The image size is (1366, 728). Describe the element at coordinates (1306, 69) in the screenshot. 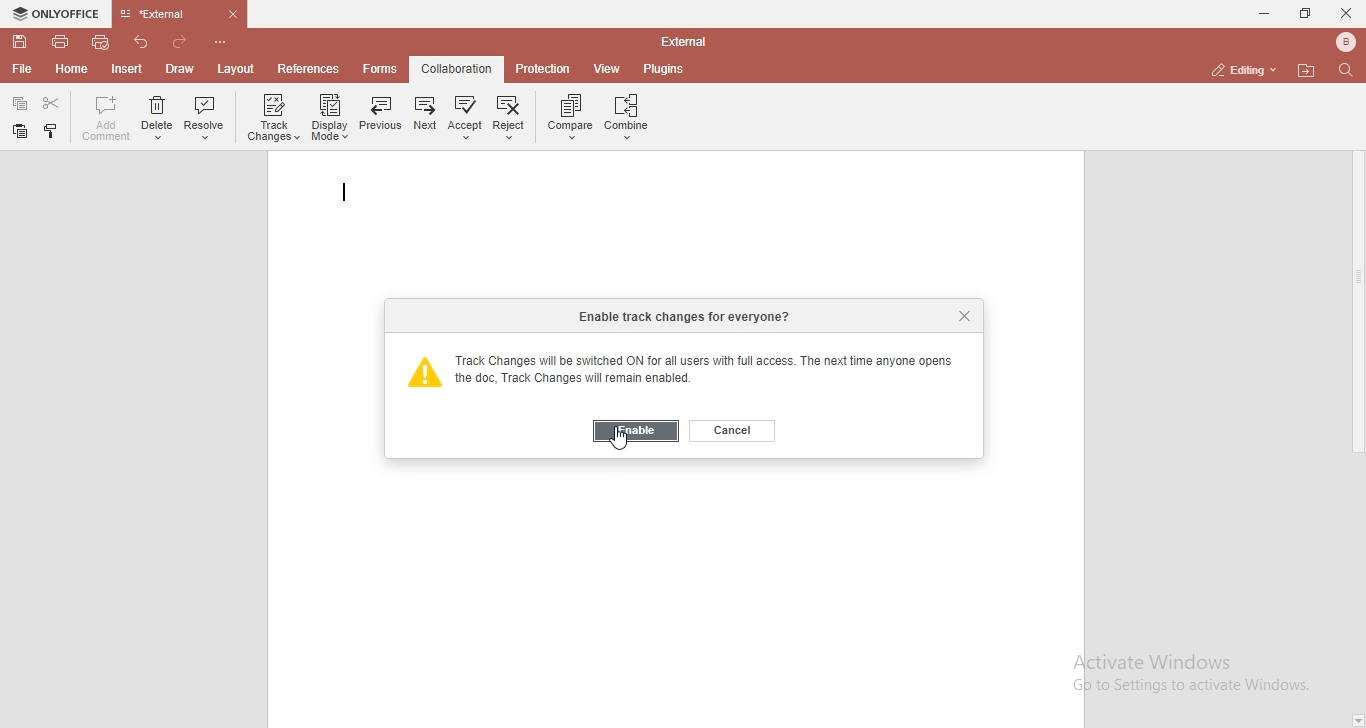

I see `open file location` at that location.